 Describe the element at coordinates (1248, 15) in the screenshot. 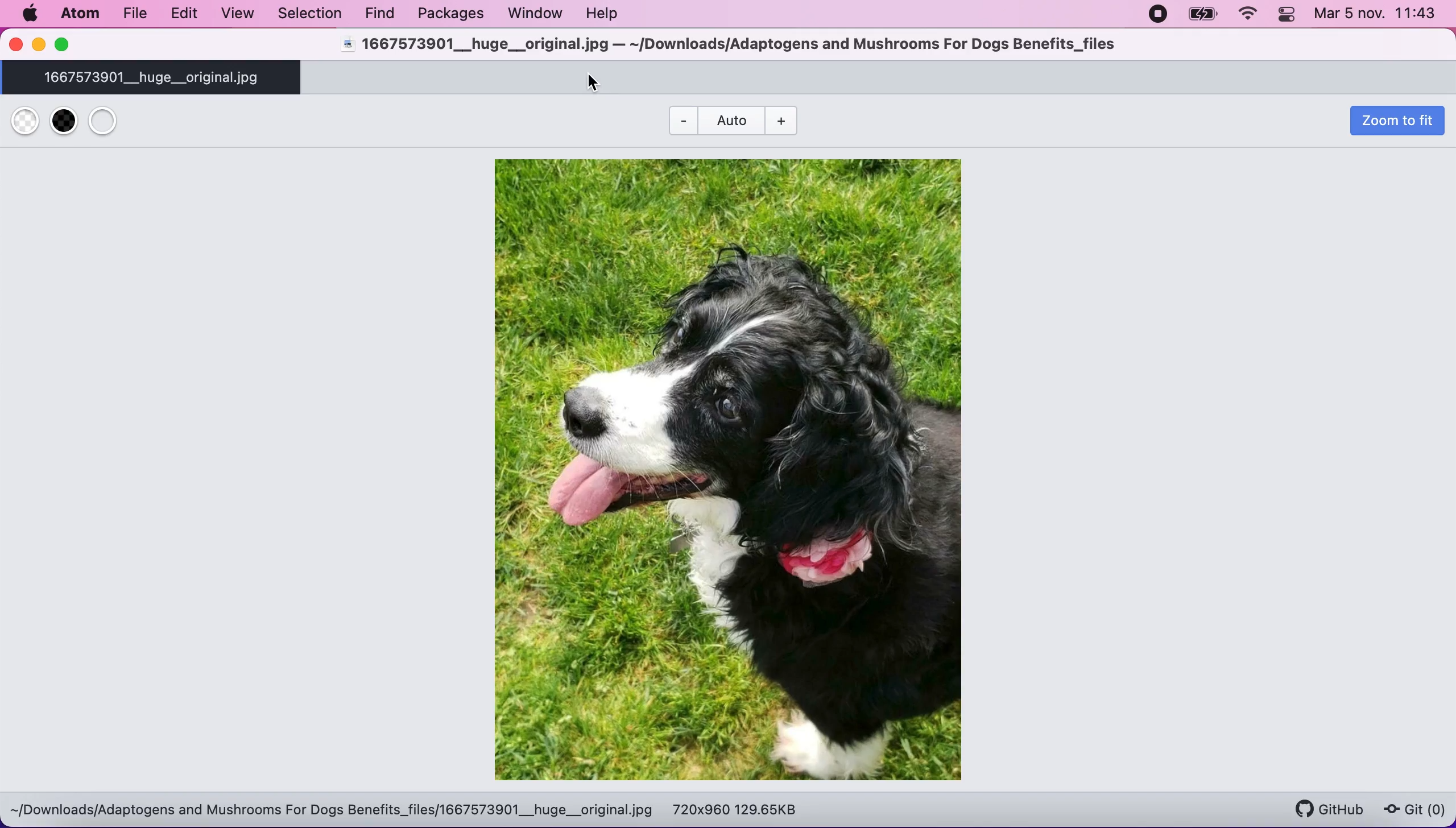

I see `wifi` at that location.